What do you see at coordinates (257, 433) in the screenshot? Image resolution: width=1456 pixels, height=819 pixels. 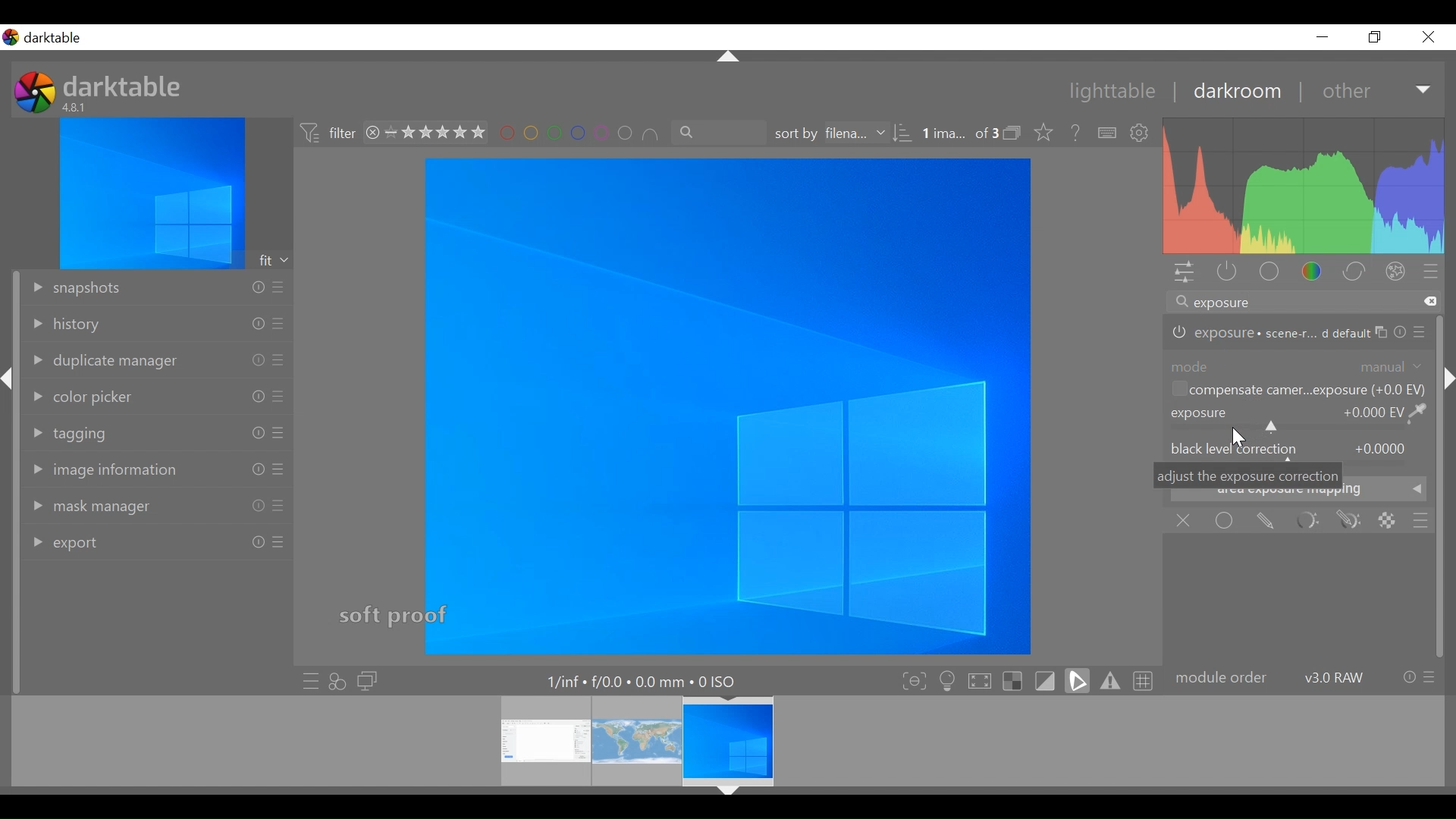 I see `info` at bounding box center [257, 433].